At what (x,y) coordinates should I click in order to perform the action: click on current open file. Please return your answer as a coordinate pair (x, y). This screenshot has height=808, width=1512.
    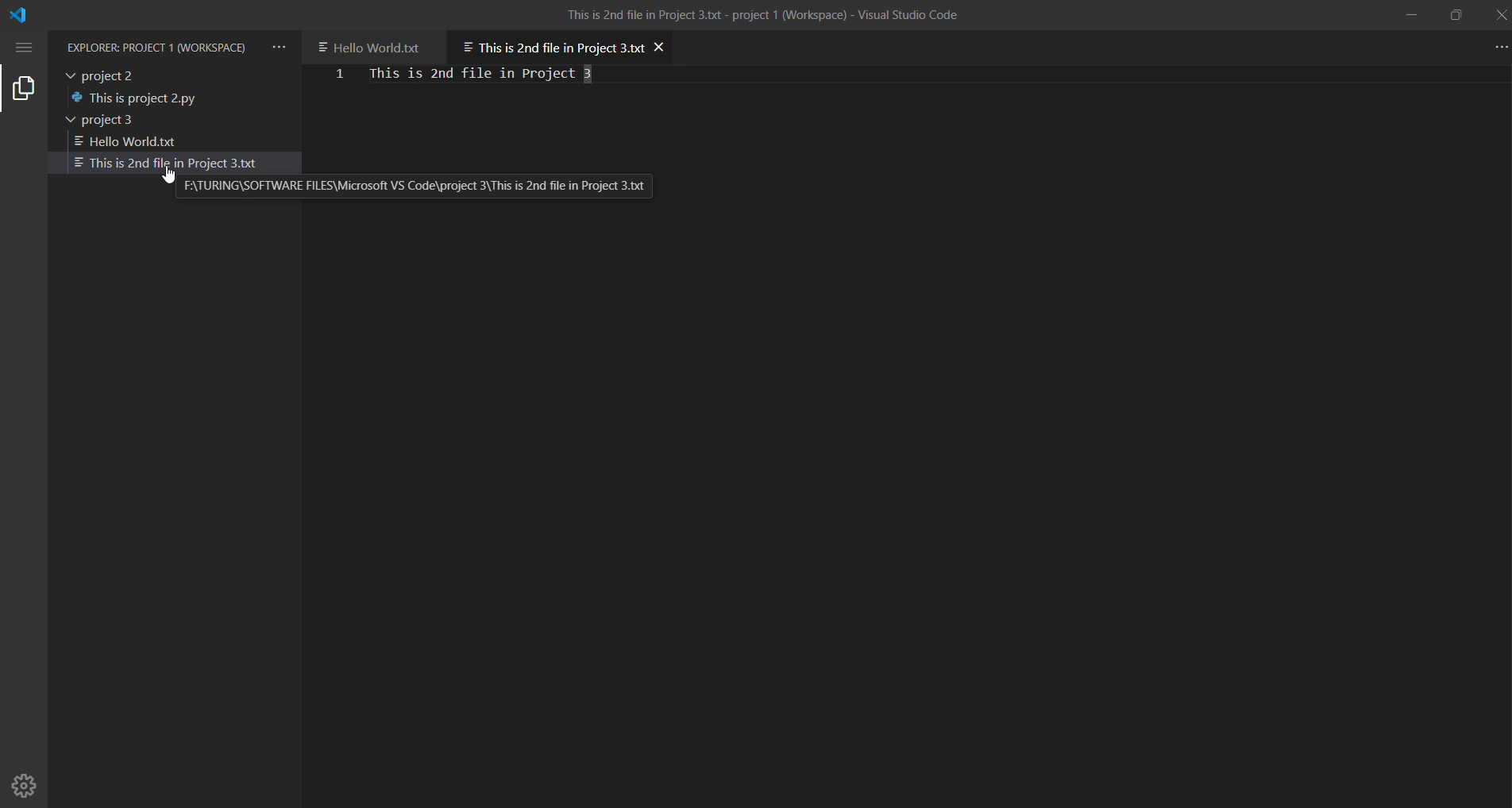
    Looking at the image, I should click on (550, 44).